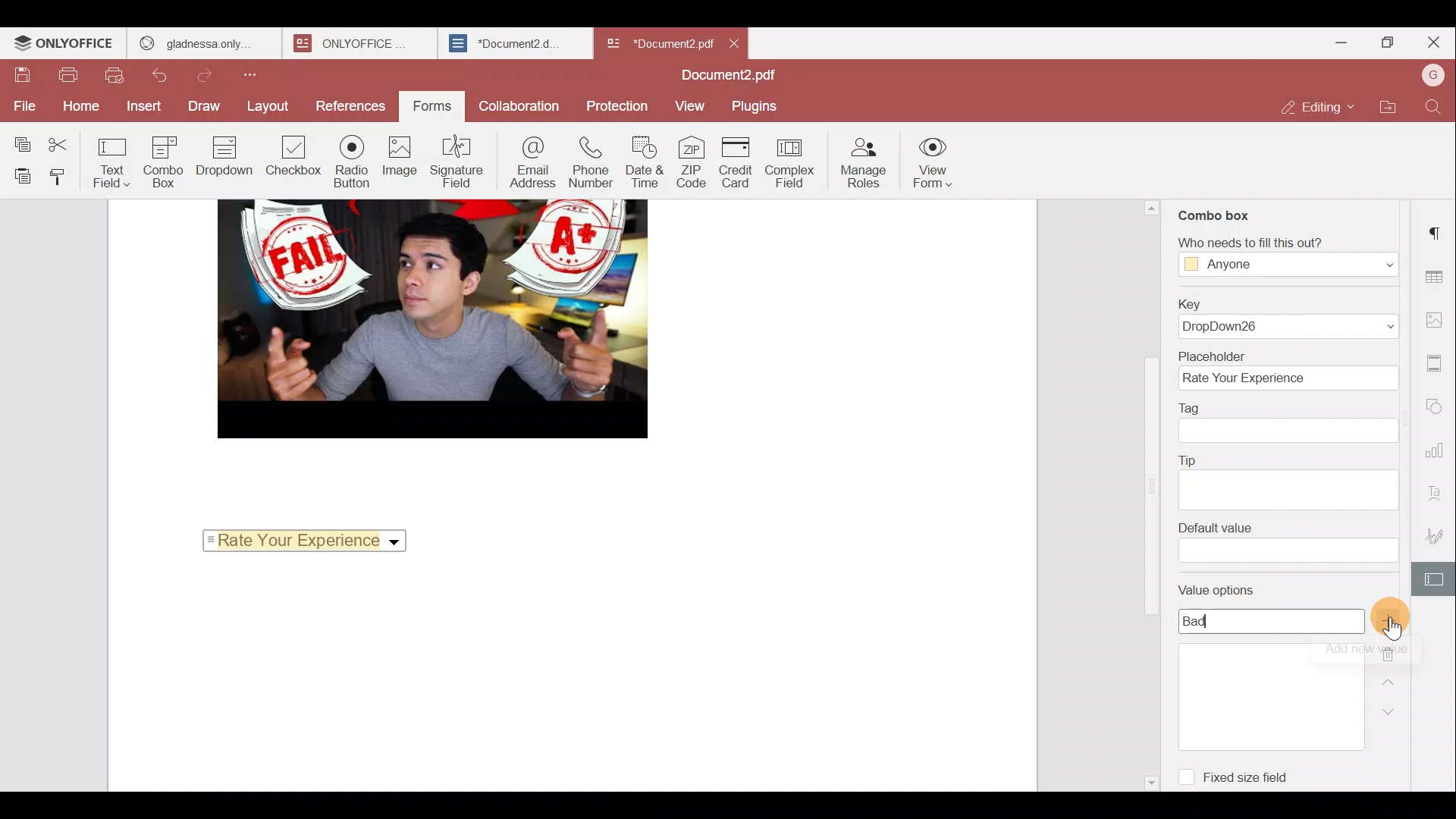 This screenshot has height=819, width=1456. I want to click on Close, so click(1433, 42).